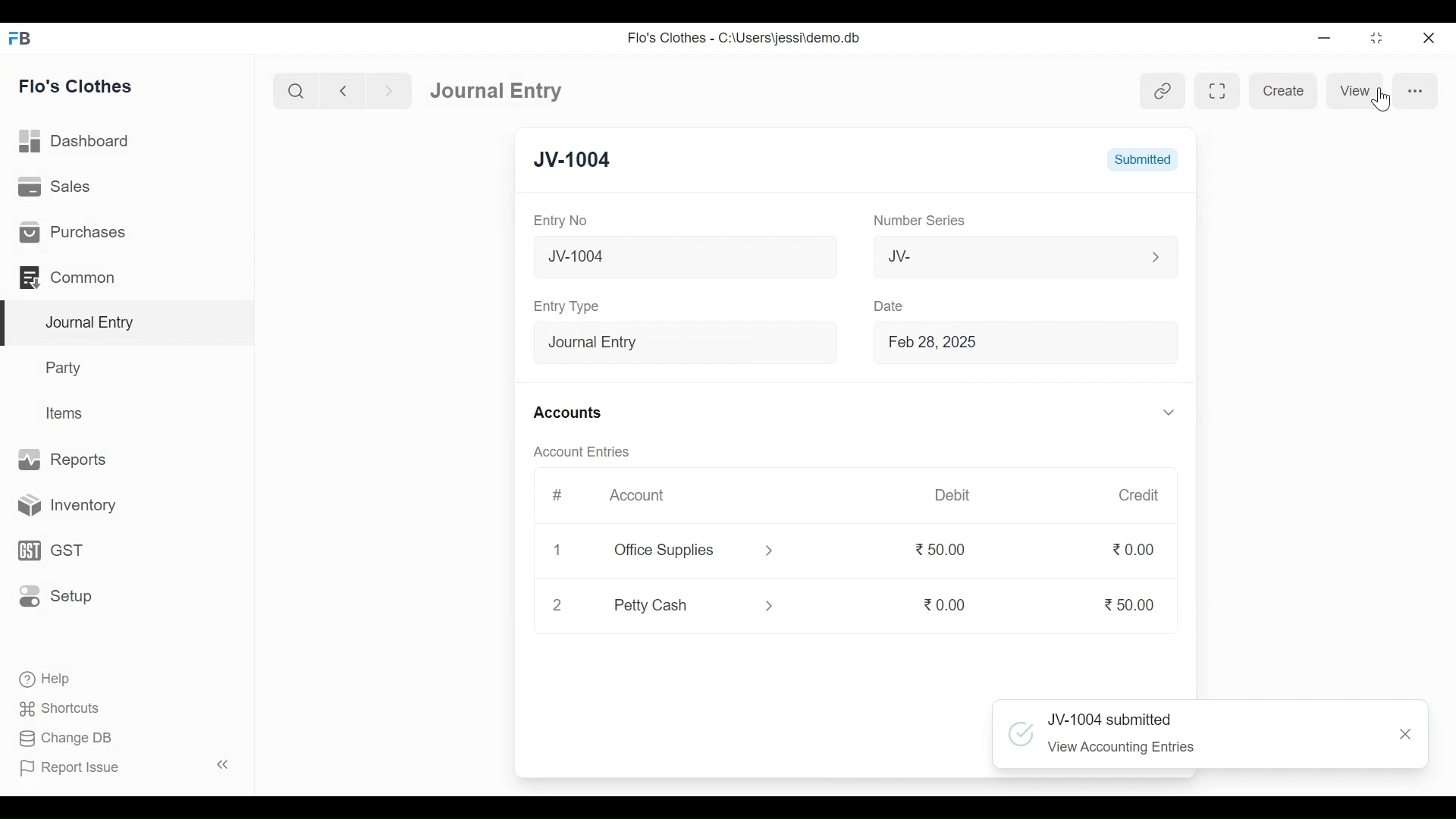 This screenshot has width=1456, height=819. Describe the element at coordinates (888, 307) in the screenshot. I see `Date` at that location.